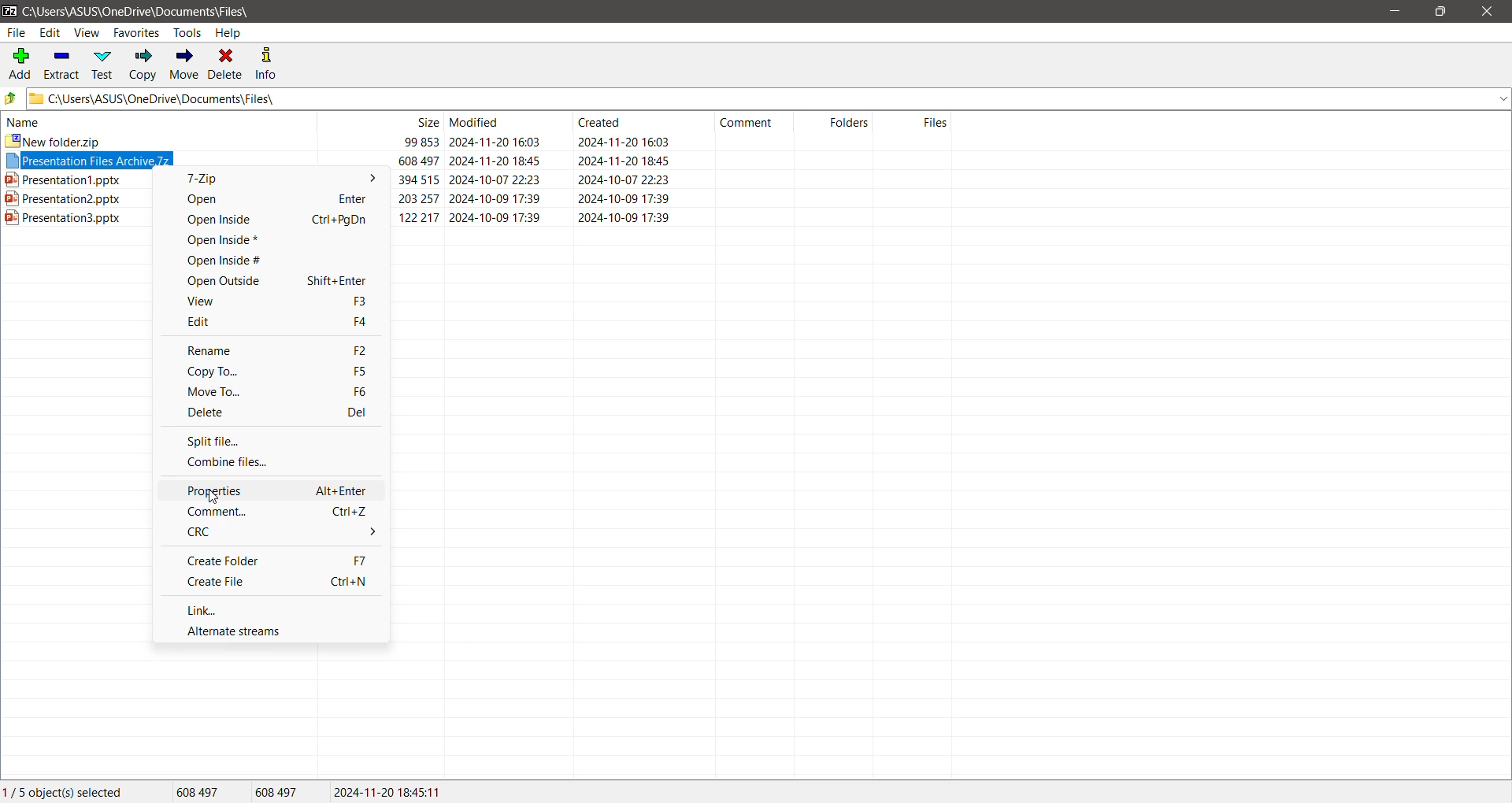 This screenshot has height=803, width=1512. What do you see at coordinates (232, 200) in the screenshot?
I see `Open` at bounding box center [232, 200].